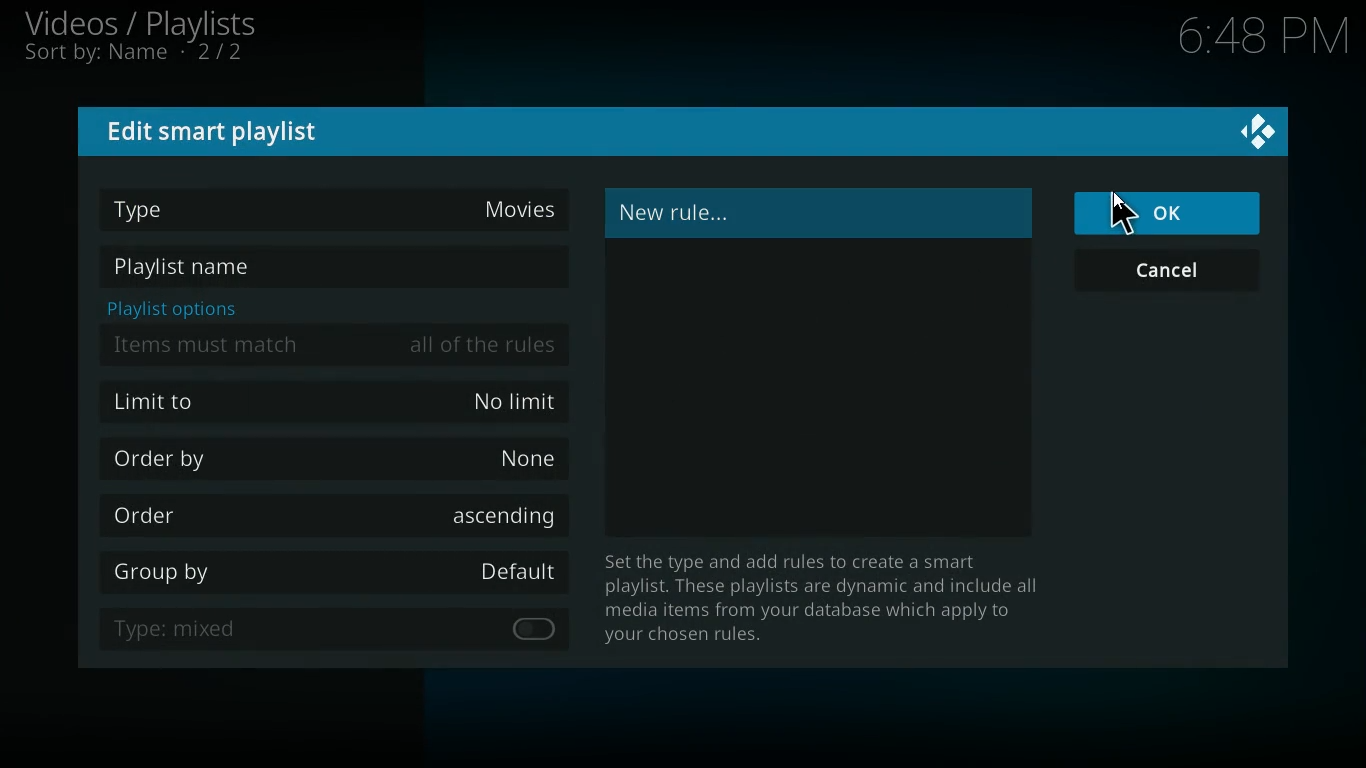 This screenshot has width=1366, height=768. What do you see at coordinates (532, 629) in the screenshot?
I see `Type toggle button` at bounding box center [532, 629].